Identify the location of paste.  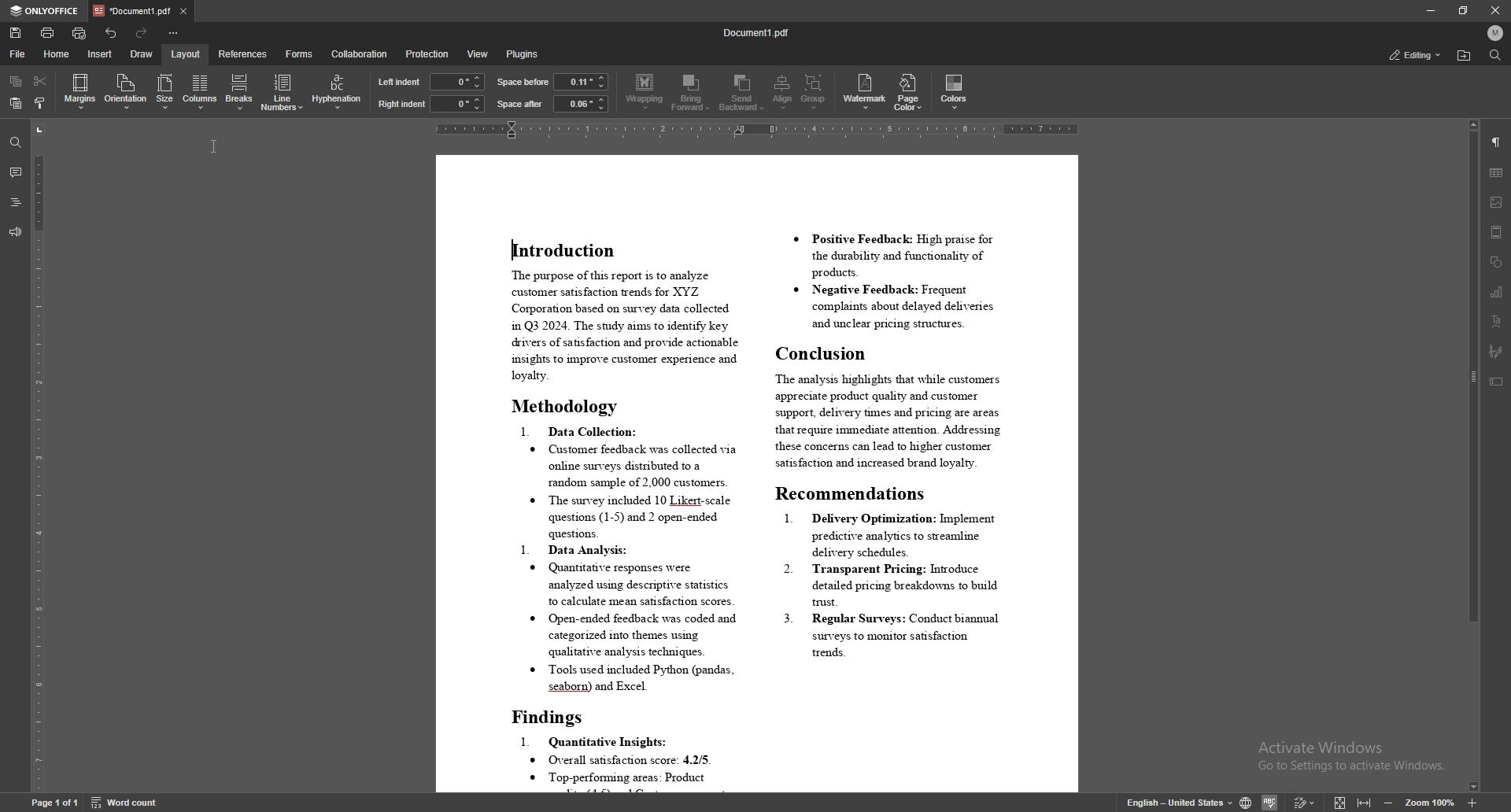
(17, 103).